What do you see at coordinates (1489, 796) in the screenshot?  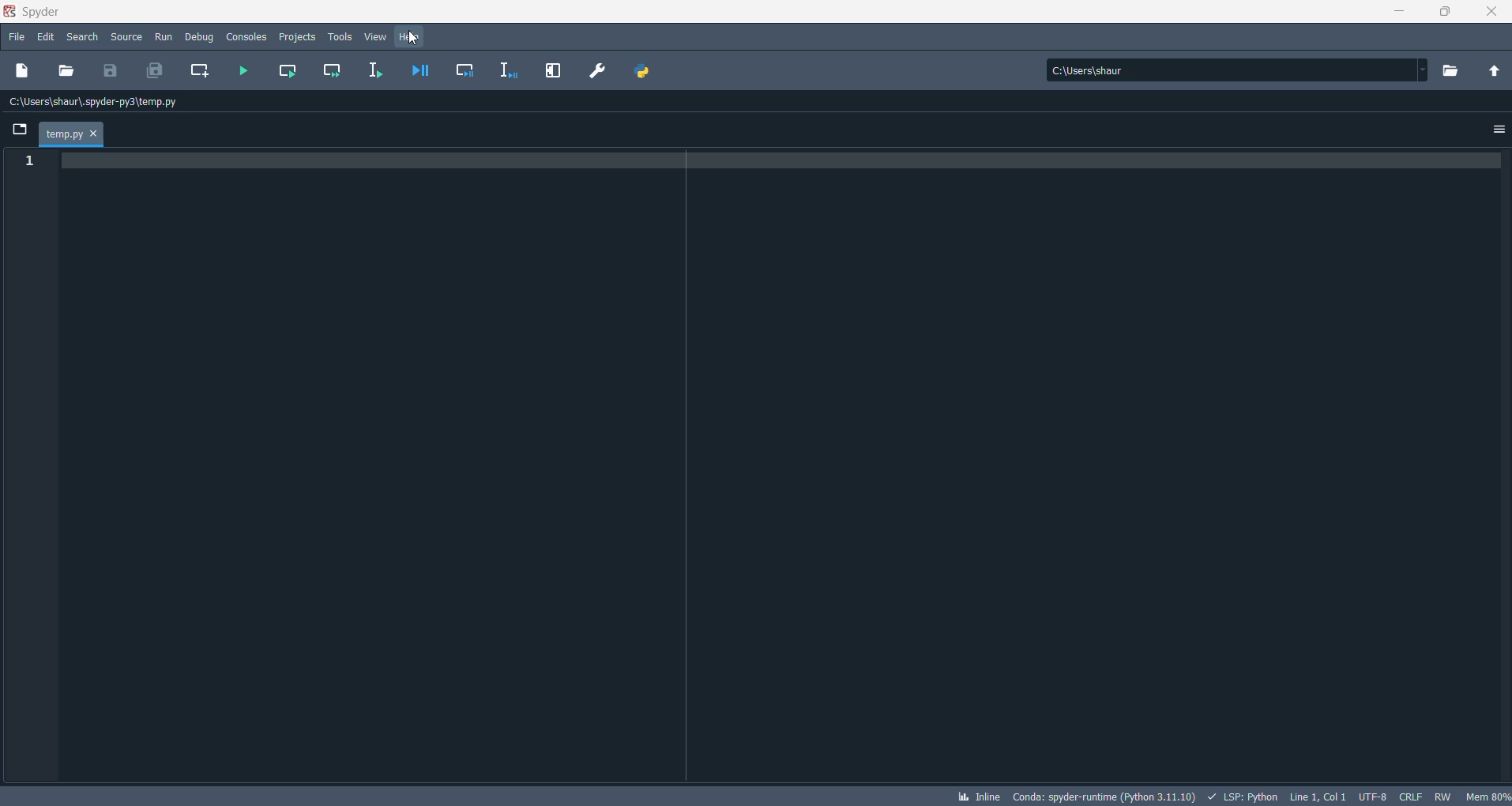 I see `memory usage` at bounding box center [1489, 796].